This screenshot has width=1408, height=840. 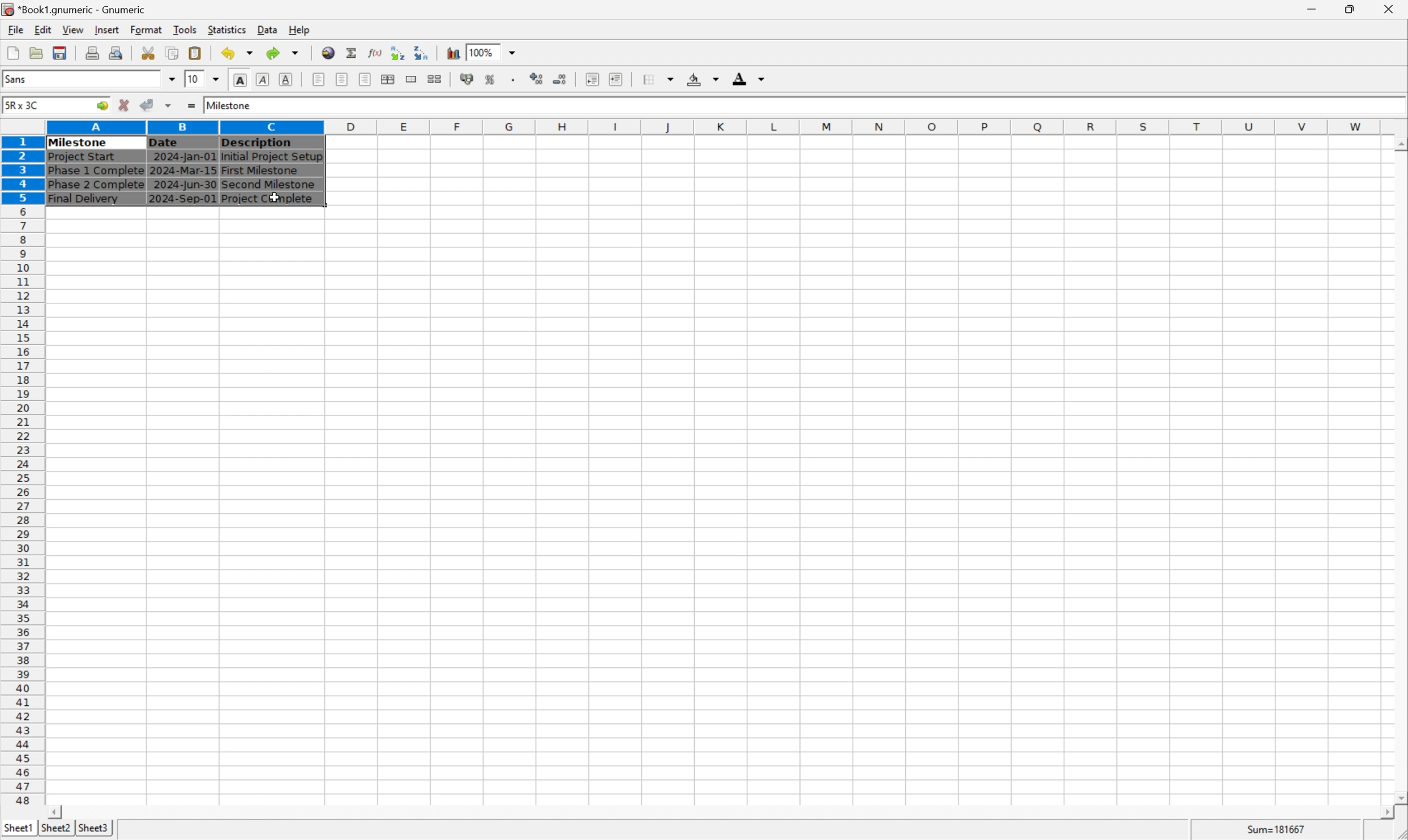 What do you see at coordinates (286, 79) in the screenshot?
I see `underline` at bounding box center [286, 79].